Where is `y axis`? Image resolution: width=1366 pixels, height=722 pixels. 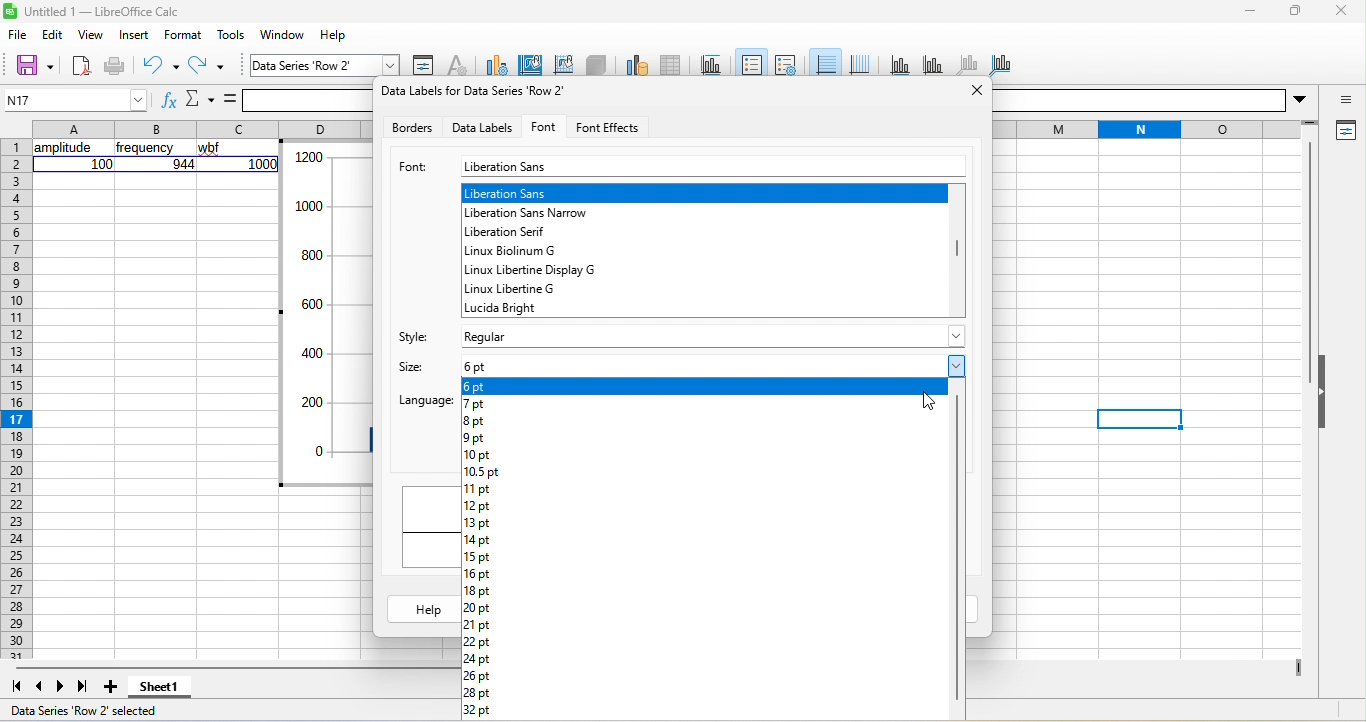 y axis is located at coordinates (940, 63).